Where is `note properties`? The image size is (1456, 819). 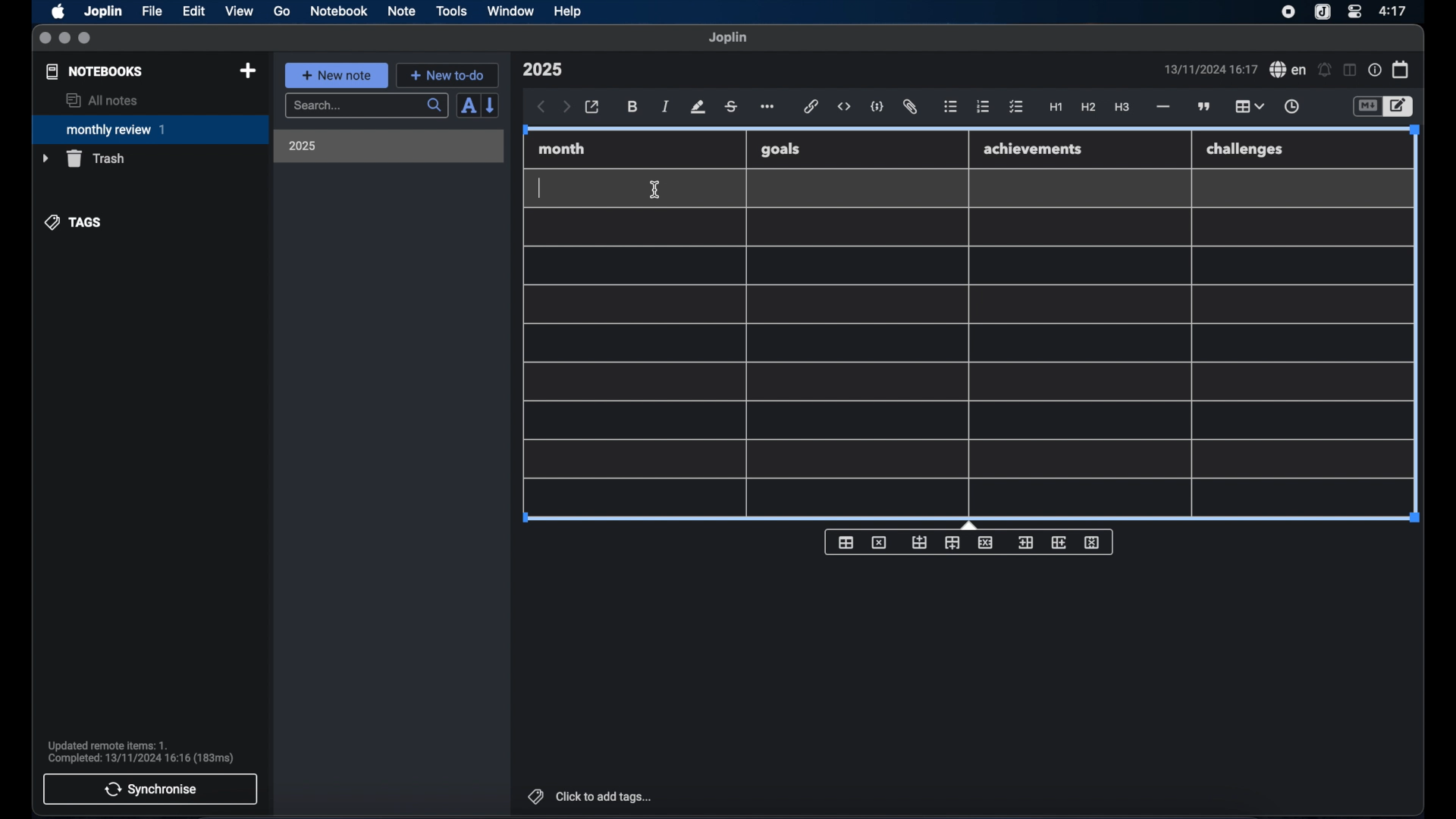 note properties is located at coordinates (1375, 71).